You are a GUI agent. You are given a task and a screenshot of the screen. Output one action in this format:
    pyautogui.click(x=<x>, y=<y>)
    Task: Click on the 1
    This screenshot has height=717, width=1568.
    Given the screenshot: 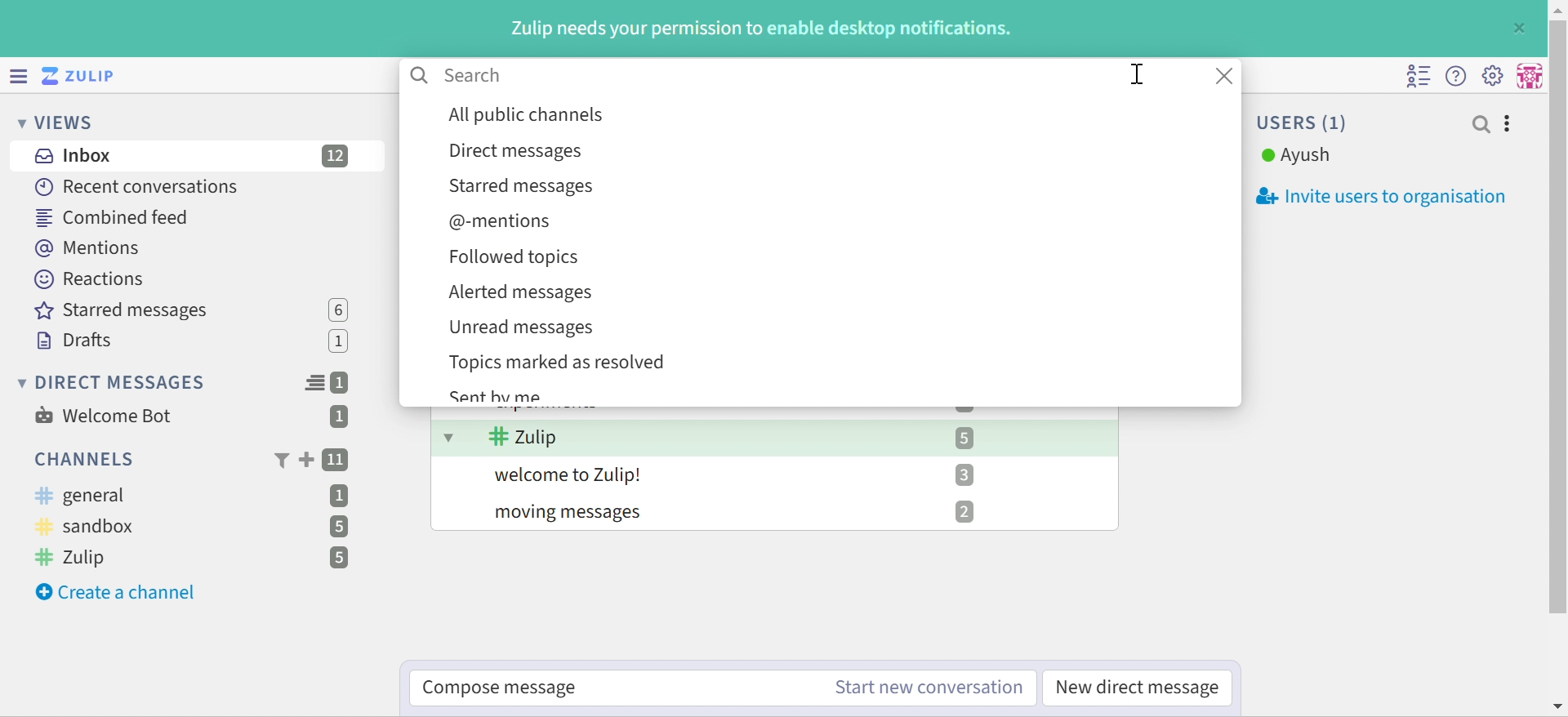 What is the action you would take?
    pyautogui.click(x=341, y=495)
    